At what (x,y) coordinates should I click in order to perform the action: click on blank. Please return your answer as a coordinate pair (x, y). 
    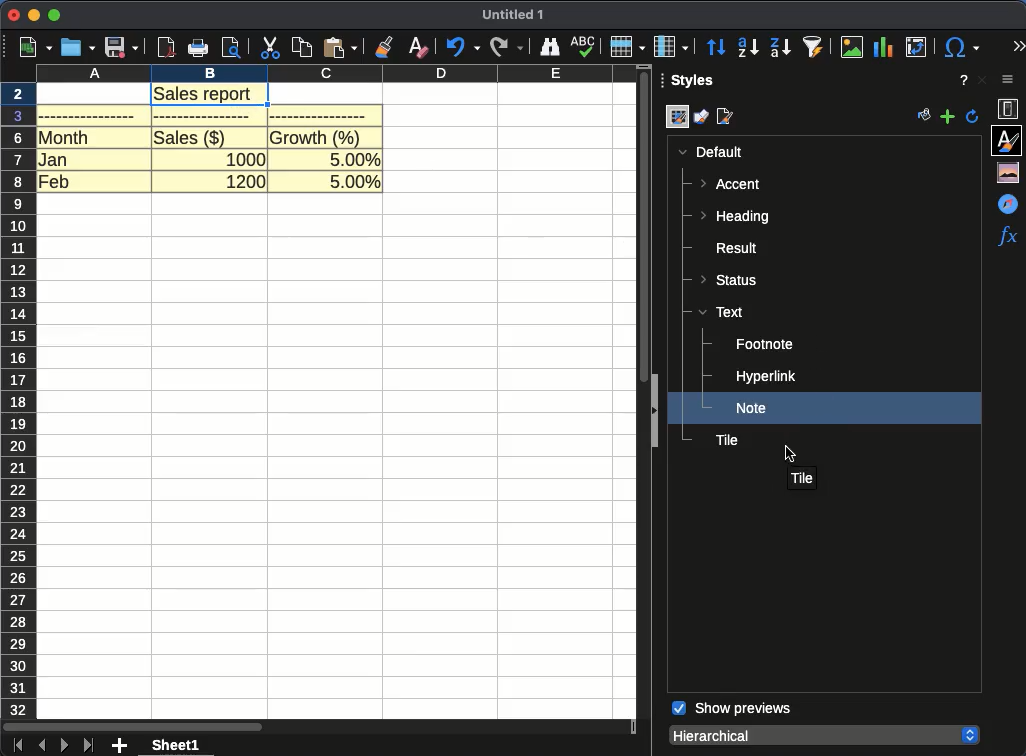
    Looking at the image, I should click on (88, 115).